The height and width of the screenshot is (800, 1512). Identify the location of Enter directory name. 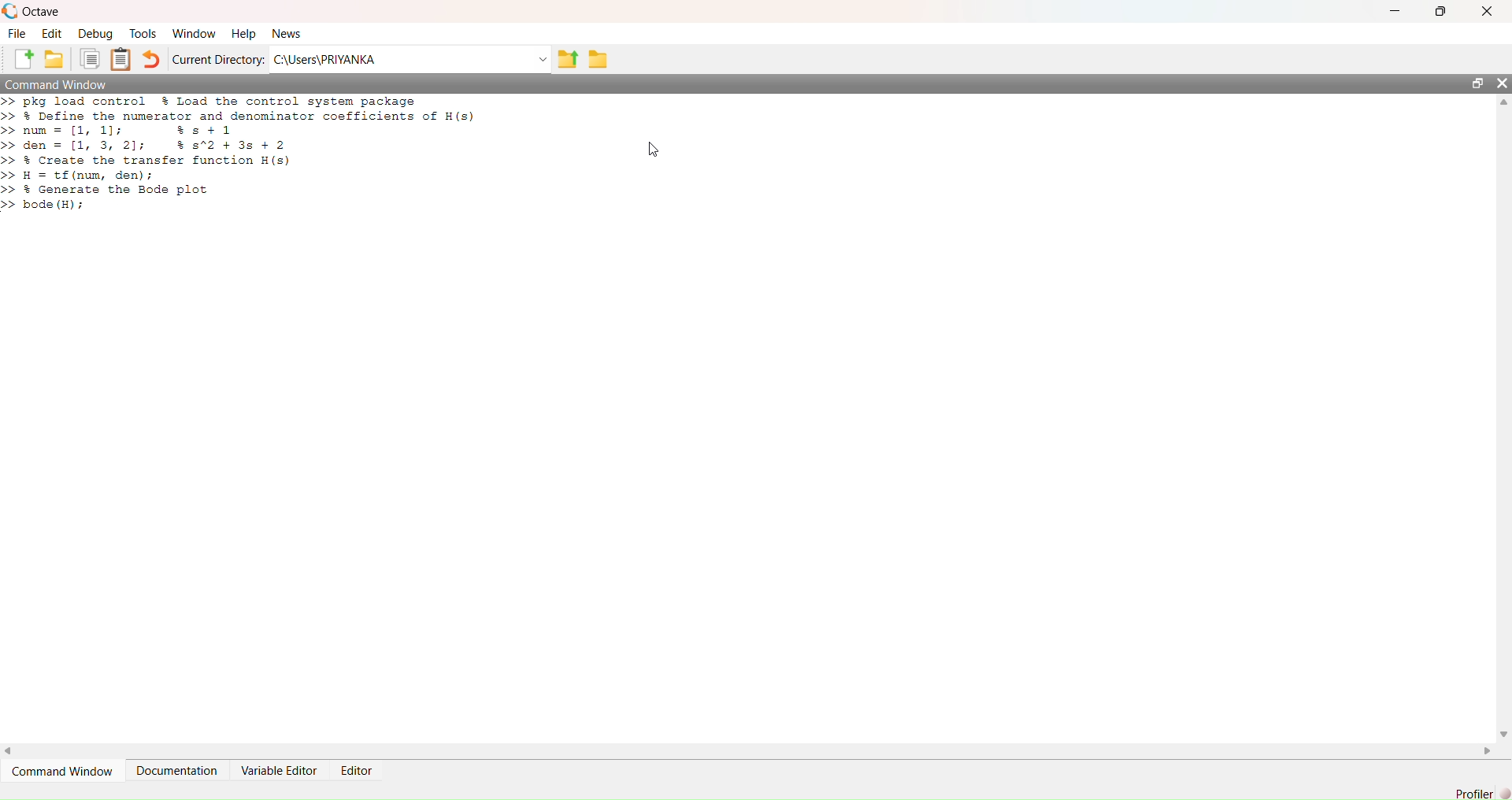
(543, 59).